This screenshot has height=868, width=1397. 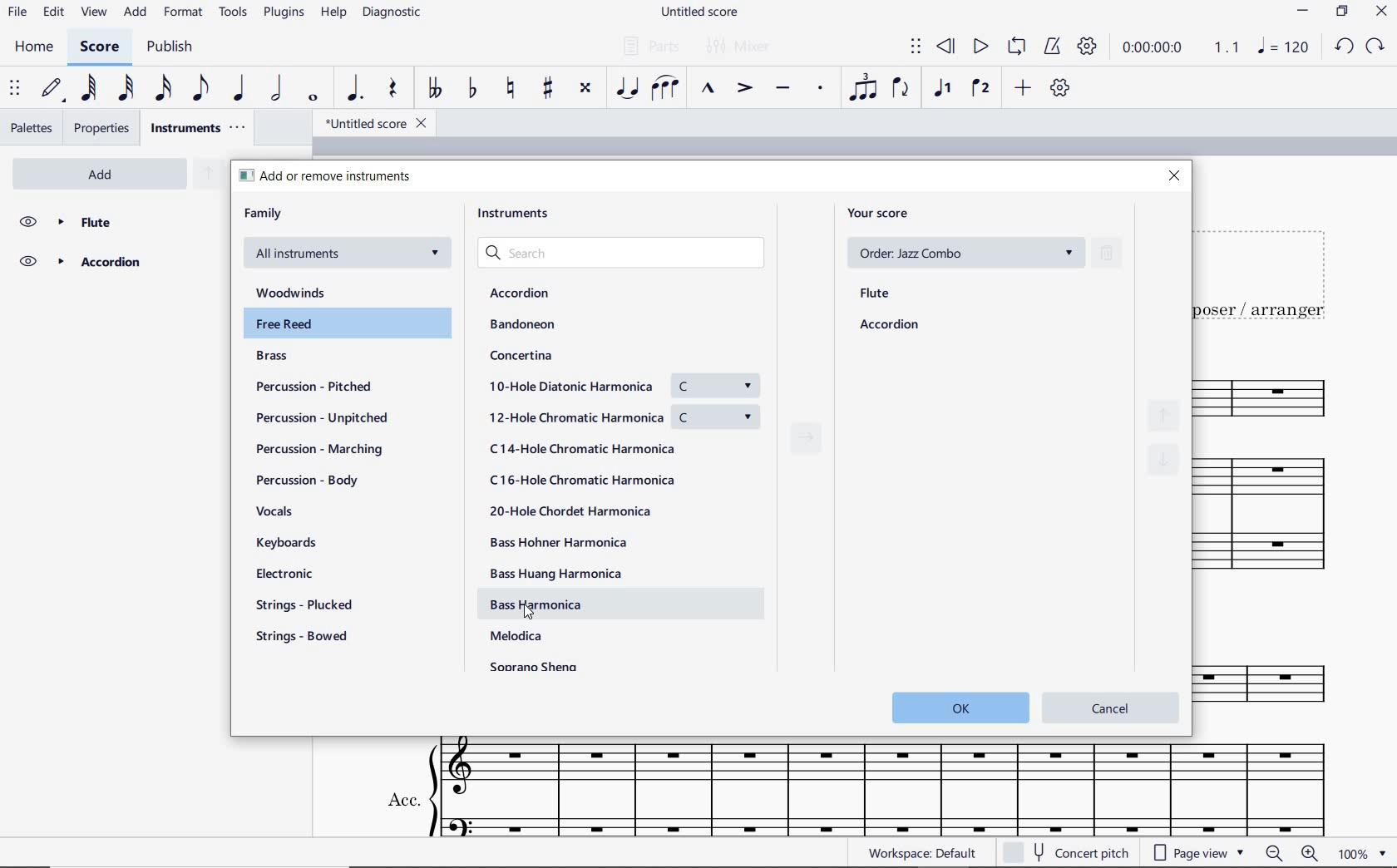 I want to click on RESTORE DOWN, so click(x=1341, y=12).